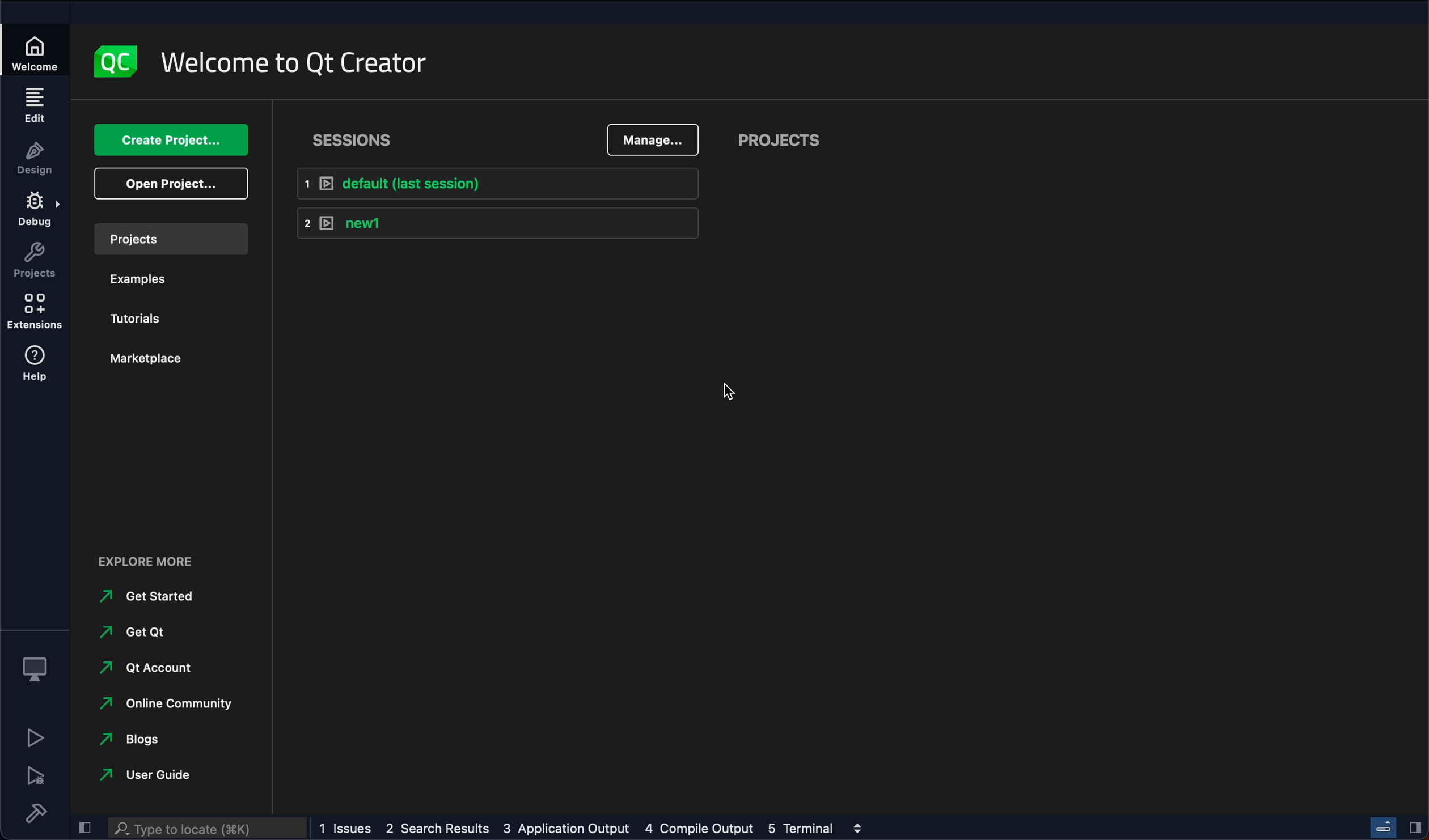 The width and height of the screenshot is (1429, 840). Describe the element at coordinates (141, 321) in the screenshot. I see `tutorials` at that location.